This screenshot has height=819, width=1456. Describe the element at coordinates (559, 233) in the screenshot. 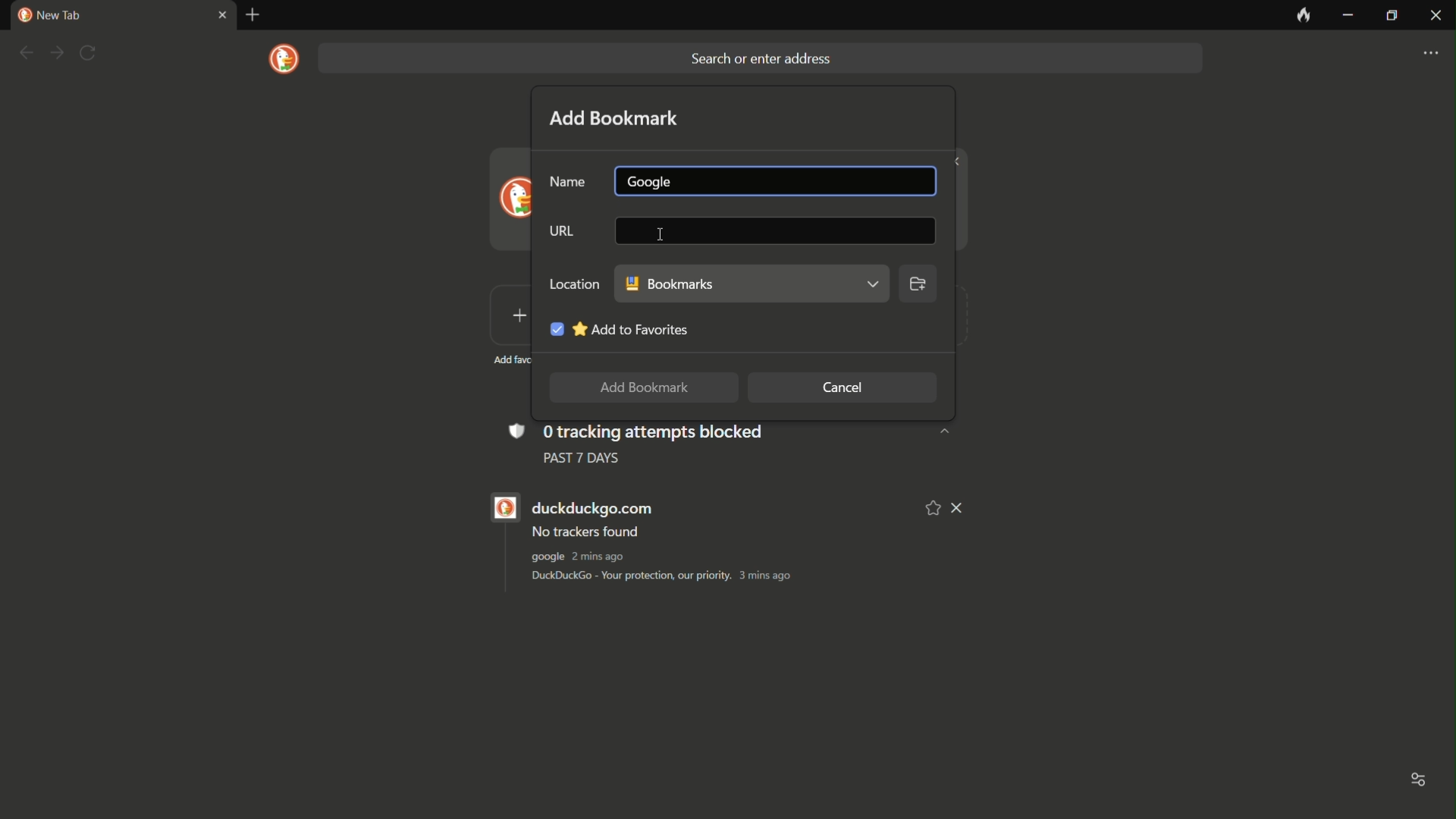

I see `URL` at that location.